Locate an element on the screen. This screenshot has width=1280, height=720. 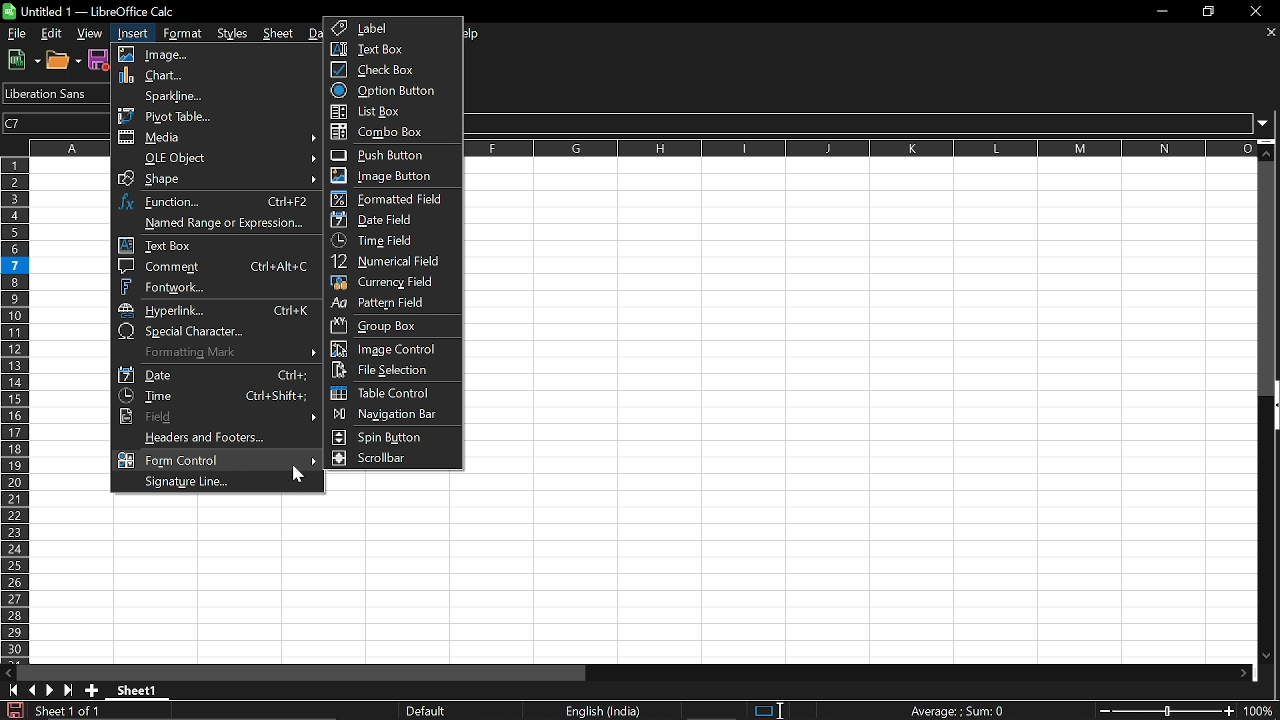
Time is located at coordinates (217, 396).